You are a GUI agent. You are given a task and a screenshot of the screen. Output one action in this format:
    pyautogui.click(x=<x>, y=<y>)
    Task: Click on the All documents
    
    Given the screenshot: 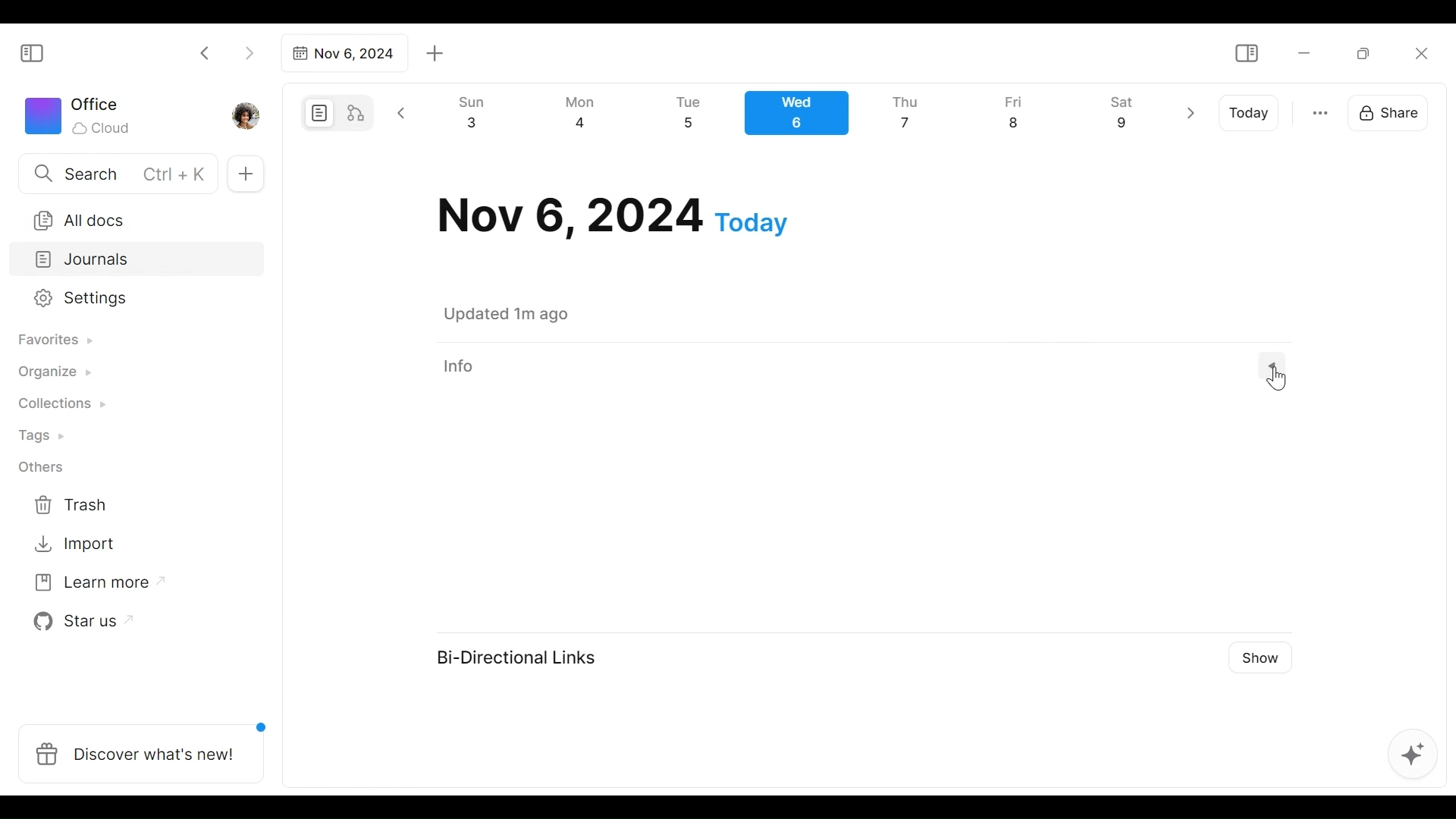 What is the action you would take?
    pyautogui.click(x=131, y=218)
    